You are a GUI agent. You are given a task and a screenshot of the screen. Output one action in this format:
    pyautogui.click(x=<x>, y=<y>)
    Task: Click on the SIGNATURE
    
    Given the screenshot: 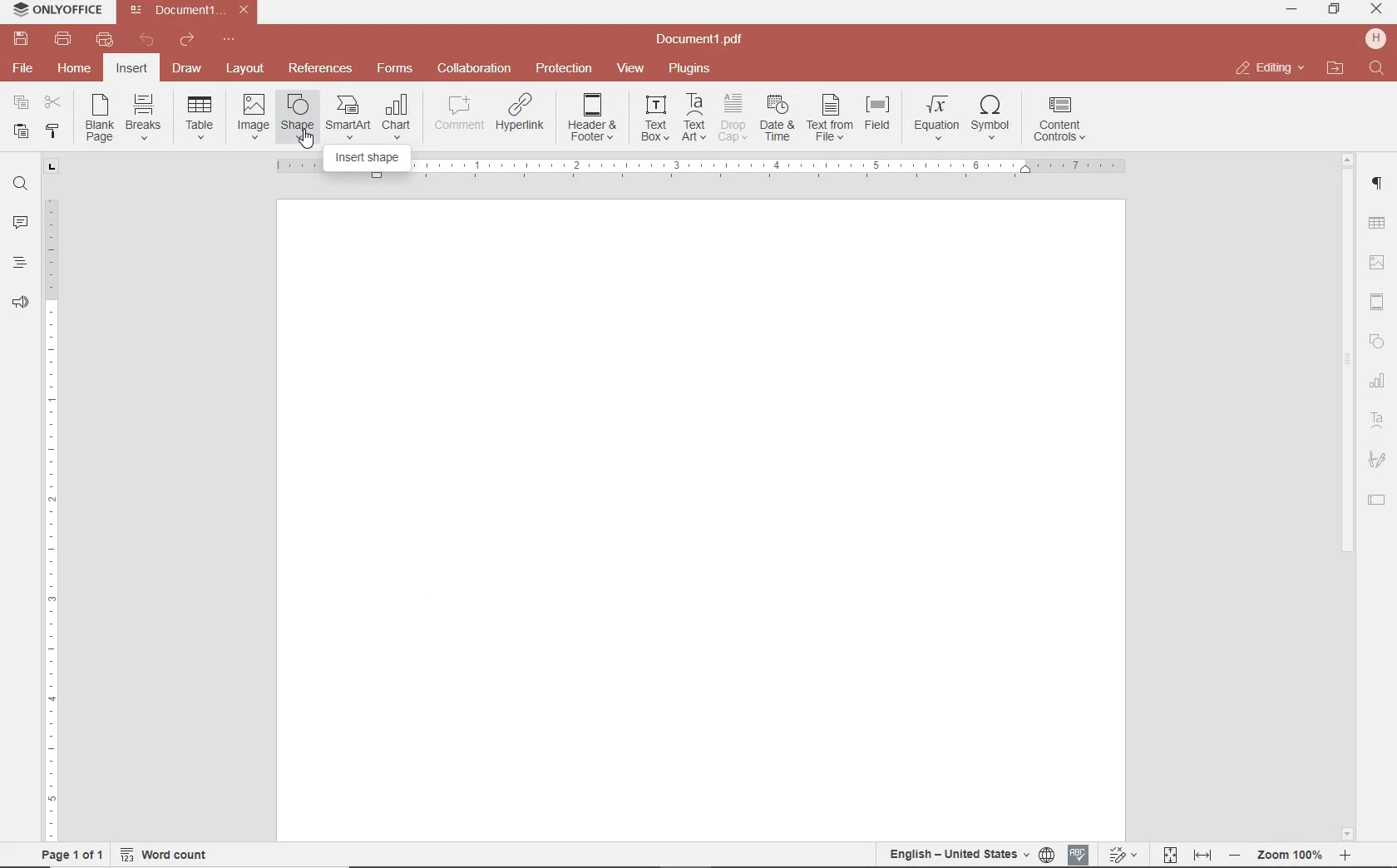 What is the action you would take?
    pyautogui.click(x=1377, y=461)
    